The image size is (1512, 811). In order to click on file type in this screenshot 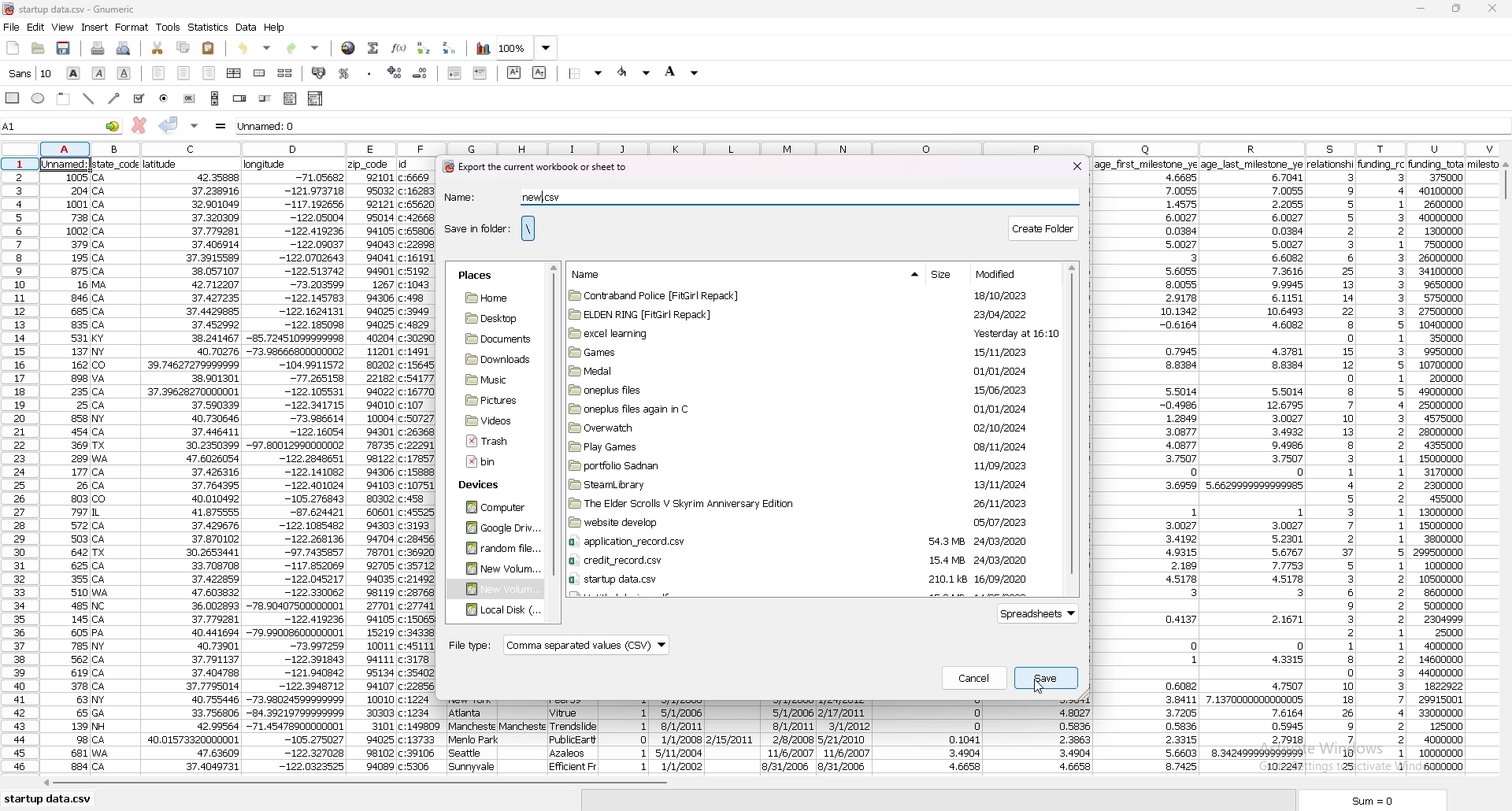, I will do `click(558, 646)`.